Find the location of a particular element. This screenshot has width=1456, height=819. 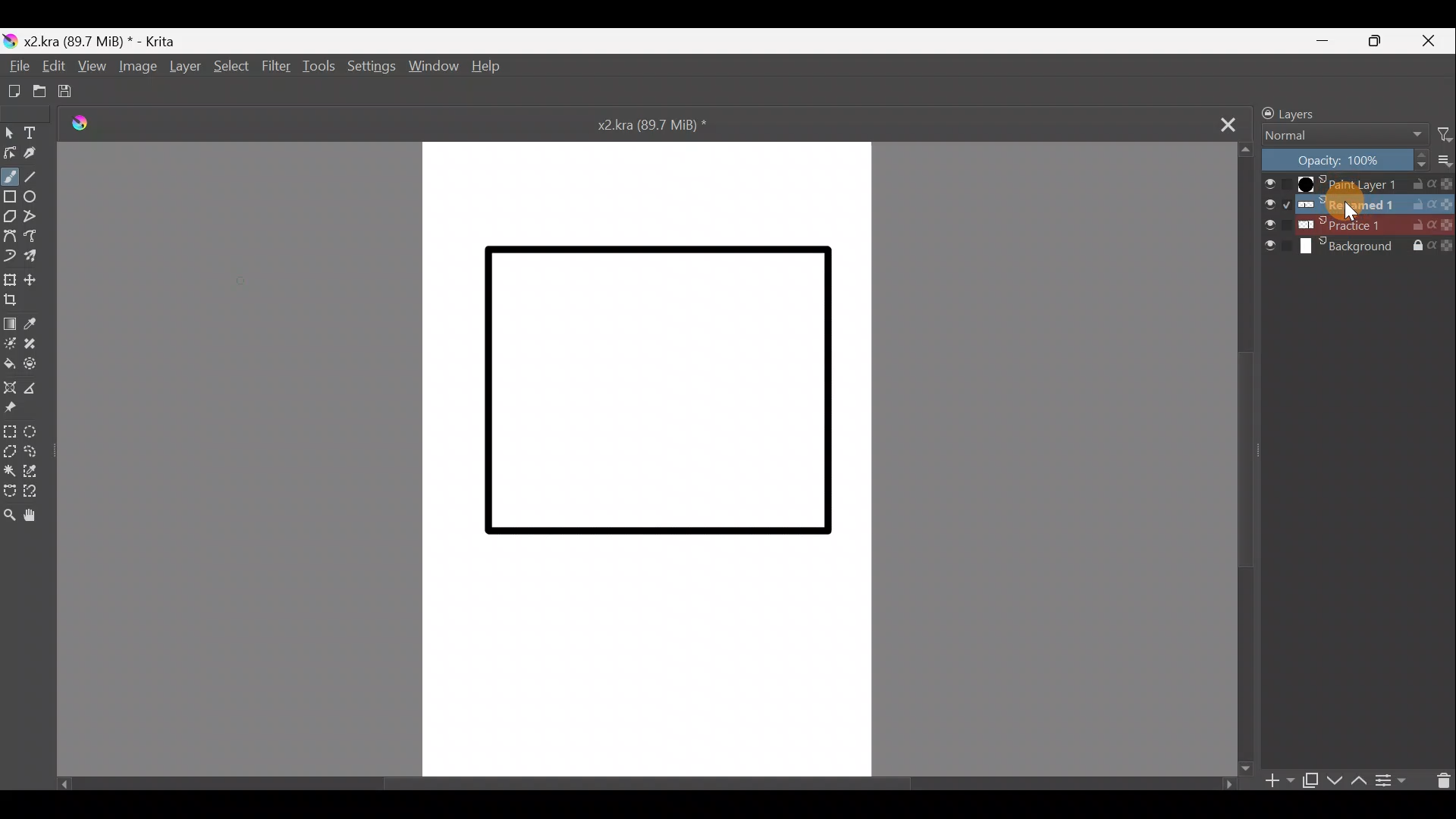

Krita Logo is located at coordinates (79, 124).